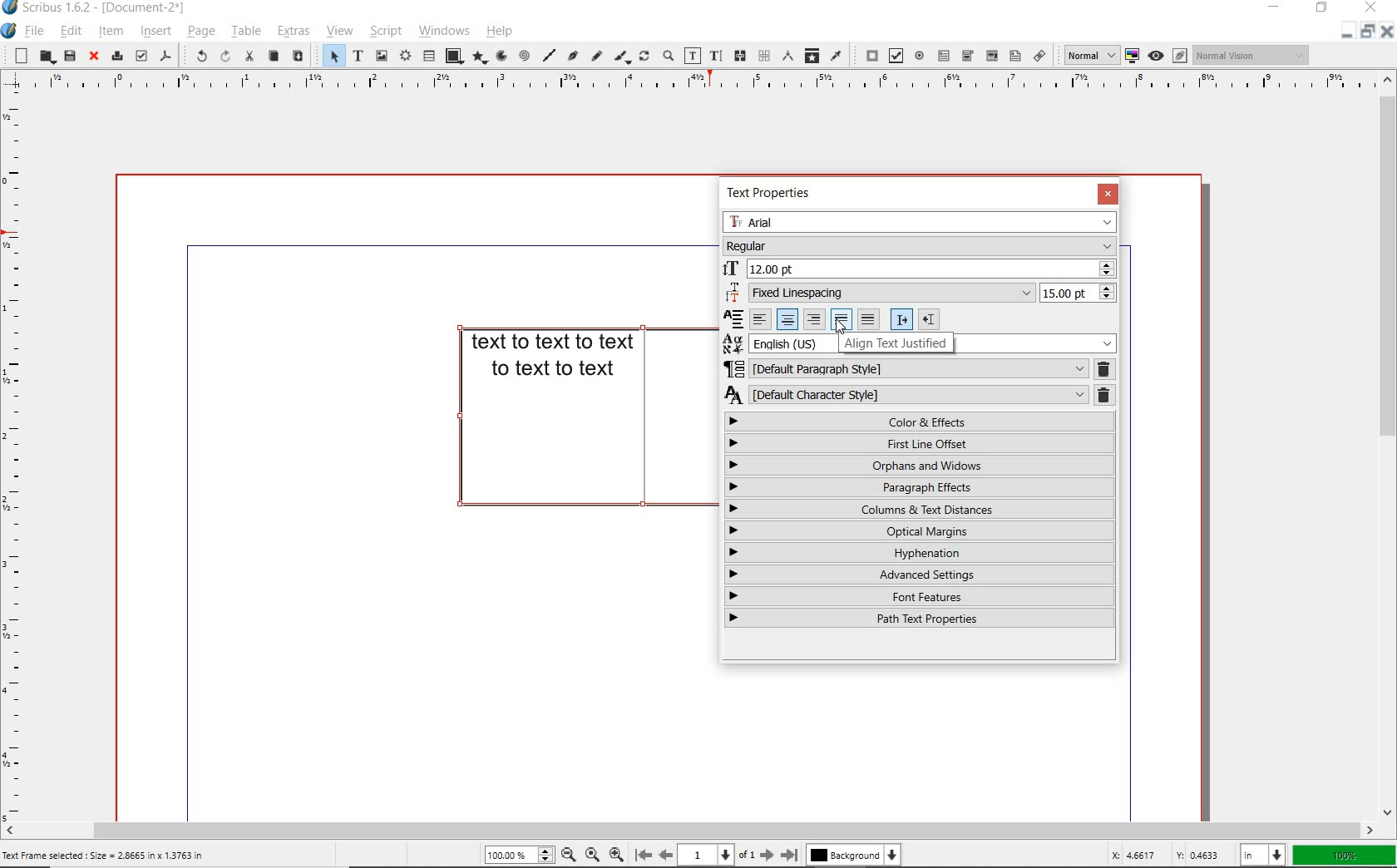  What do you see at coordinates (1276, 8) in the screenshot?
I see `minimize` at bounding box center [1276, 8].